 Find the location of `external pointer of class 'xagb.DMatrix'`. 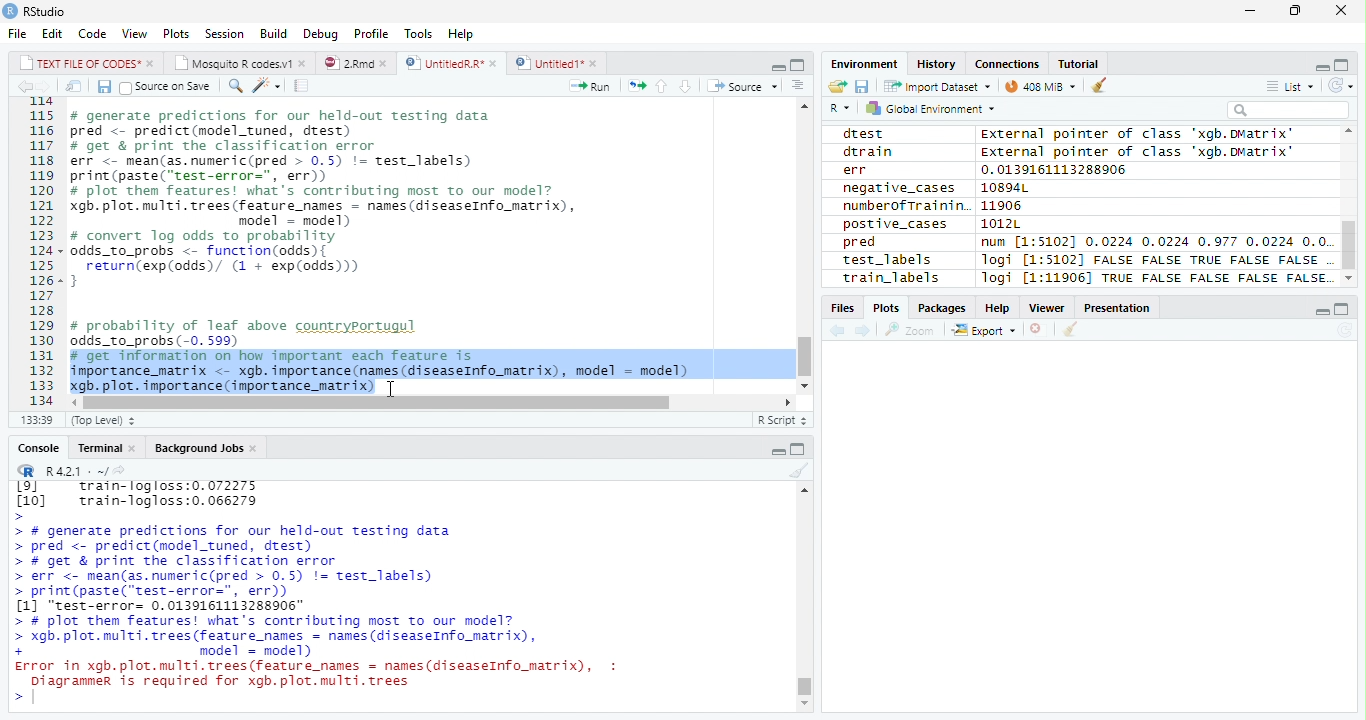

external pointer of class 'xagb.DMatrix' is located at coordinates (1142, 132).